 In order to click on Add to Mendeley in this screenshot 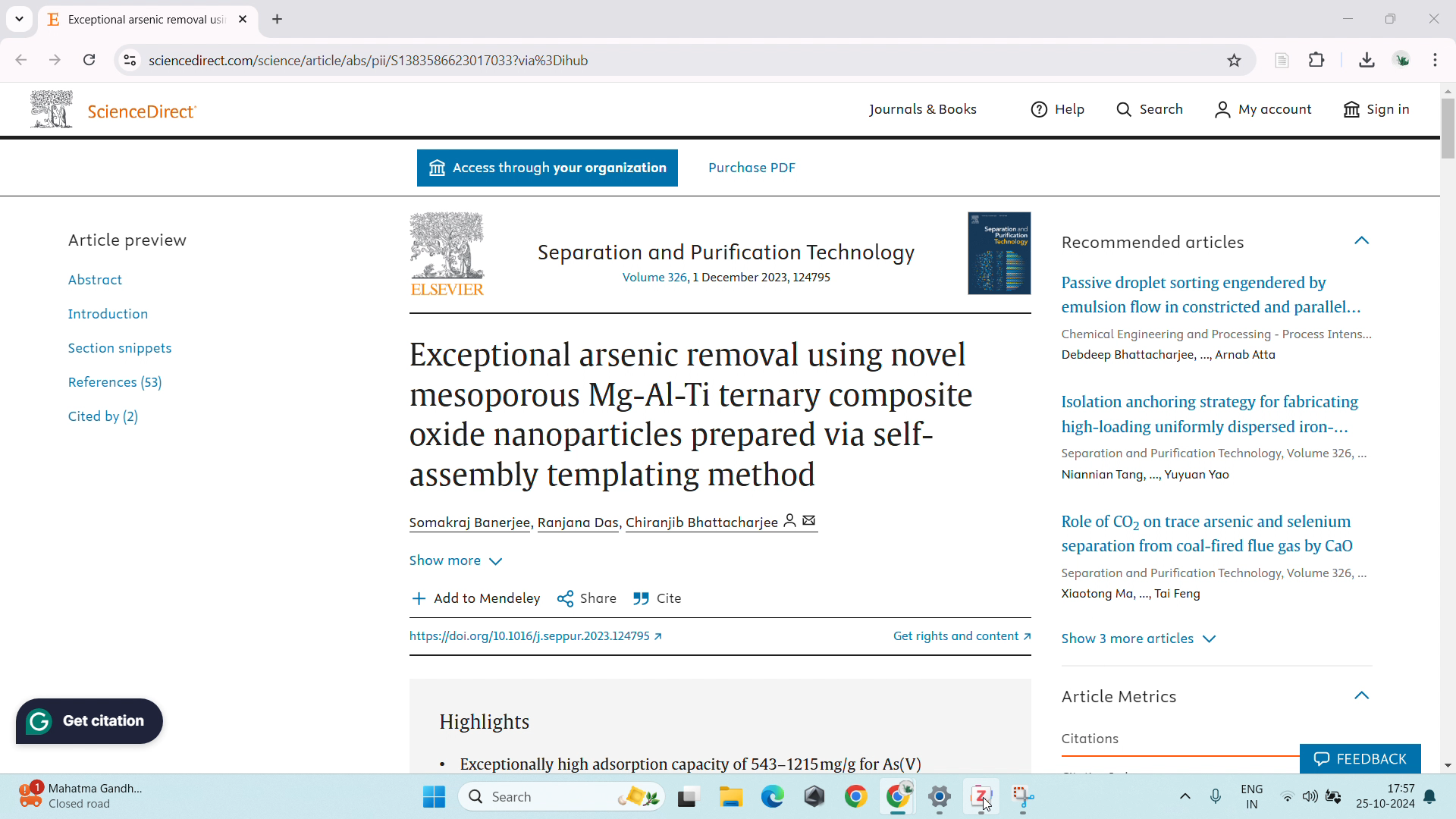, I will do `click(476, 598)`.